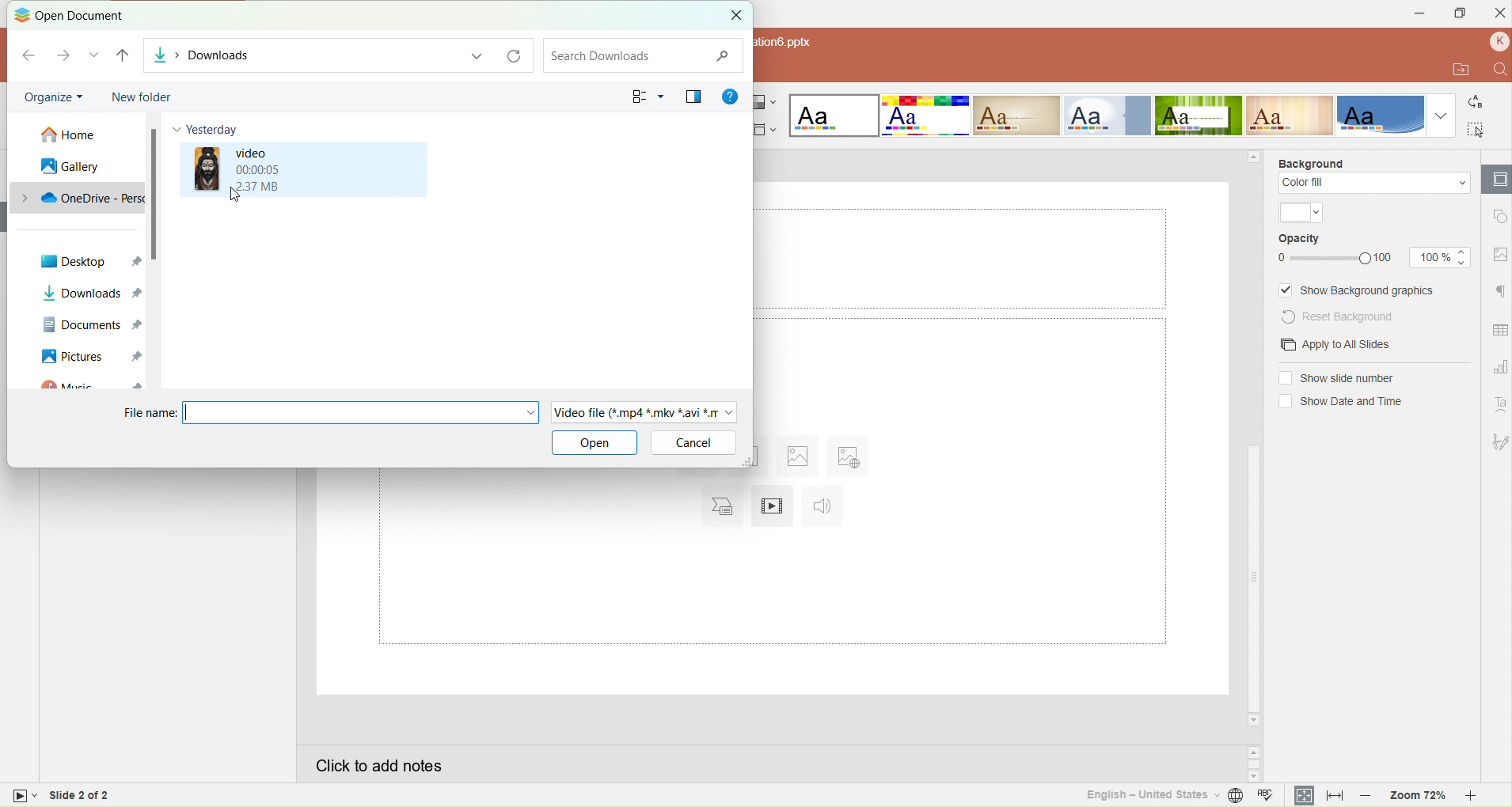 This screenshot has width=1512, height=807. I want to click on (un) selectShow slide numbers, so click(1339, 377).